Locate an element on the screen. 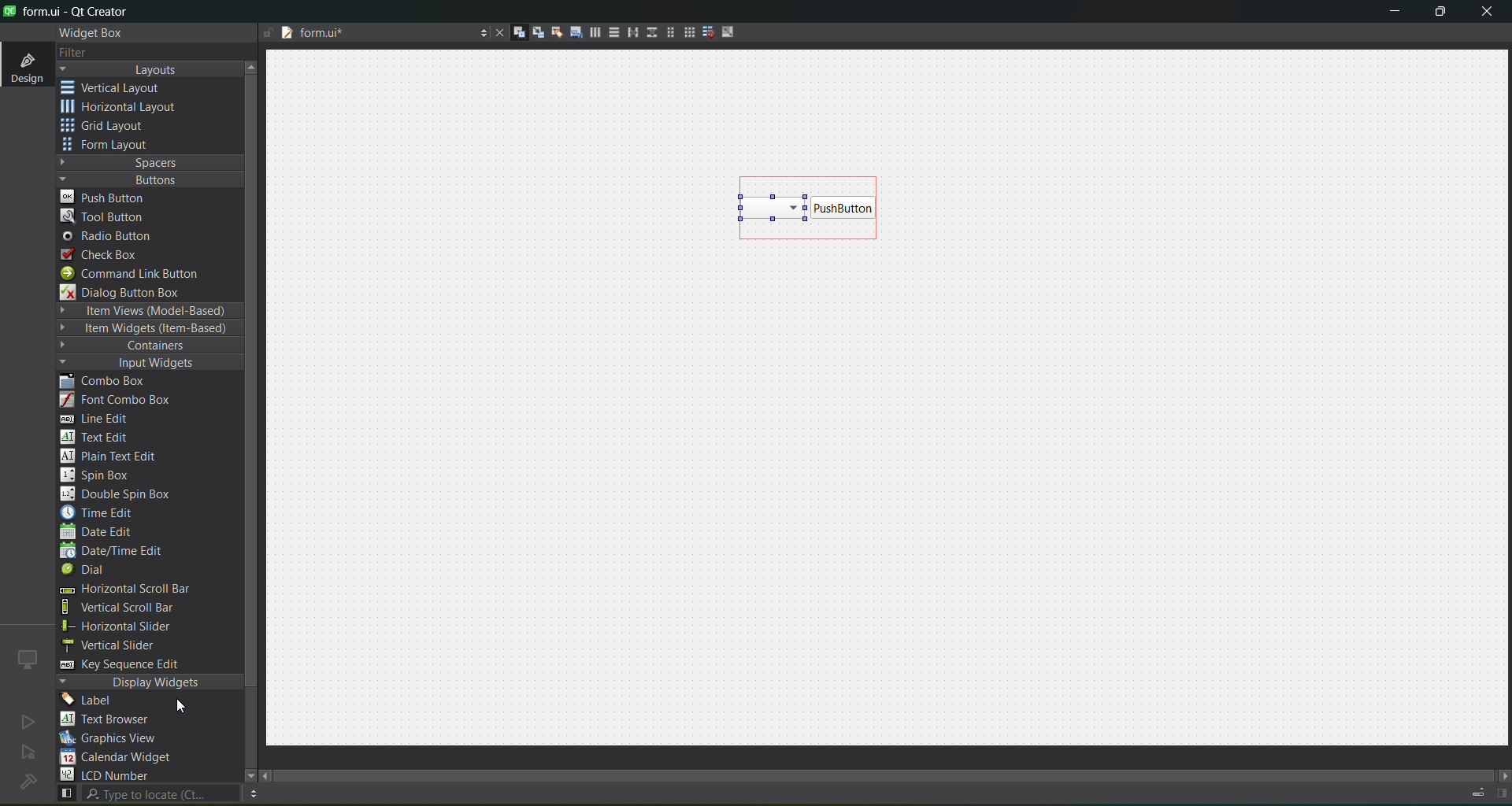 Image resolution: width=1512 pixels, height=806 pixels. input widgets is located at coordinates (142, 364).